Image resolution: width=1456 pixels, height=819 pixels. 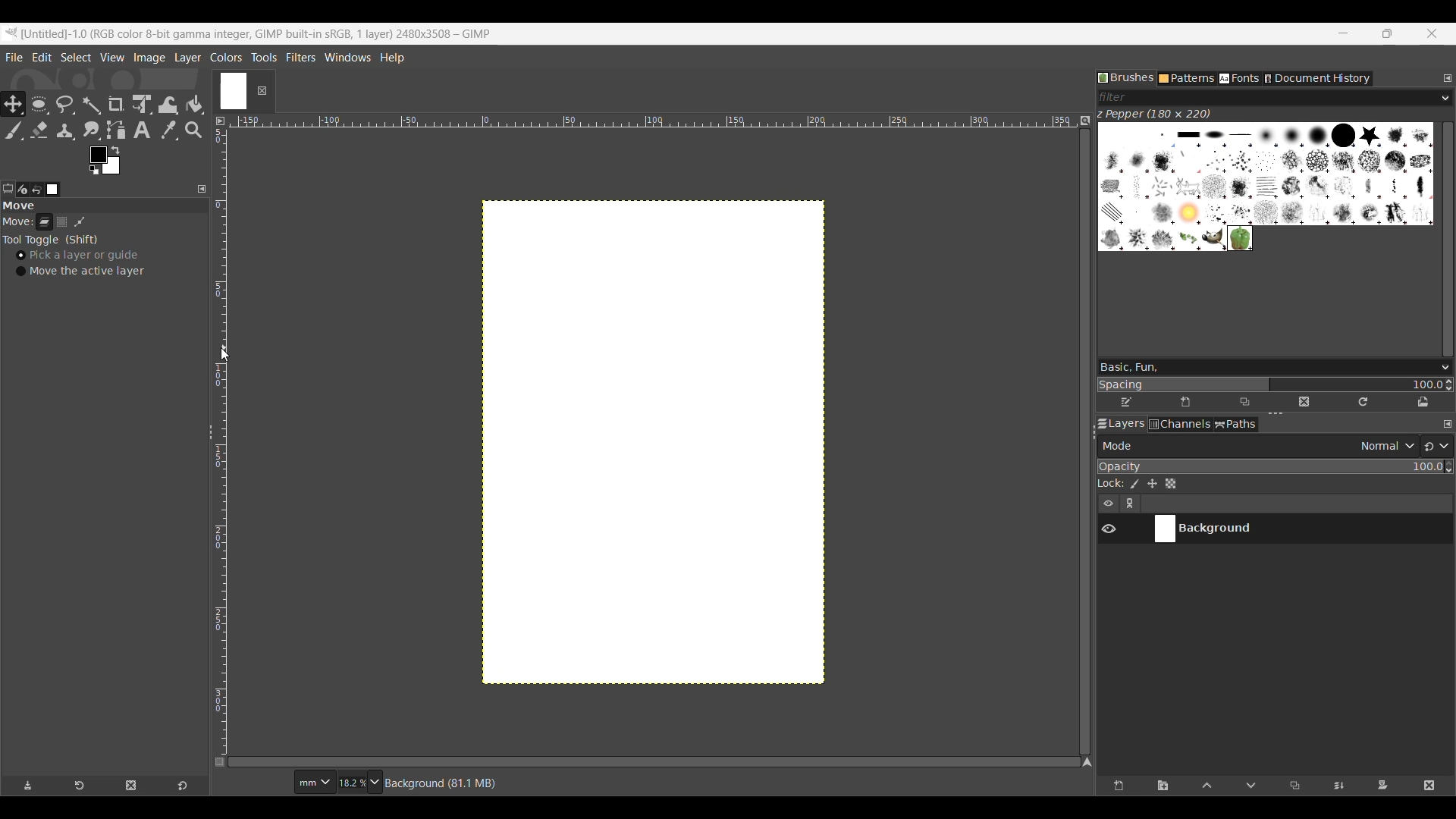 What do you see at coordinates (313, 783) in the screenshot?
I see `Ruler measurement` at bounding box center [313, 783].